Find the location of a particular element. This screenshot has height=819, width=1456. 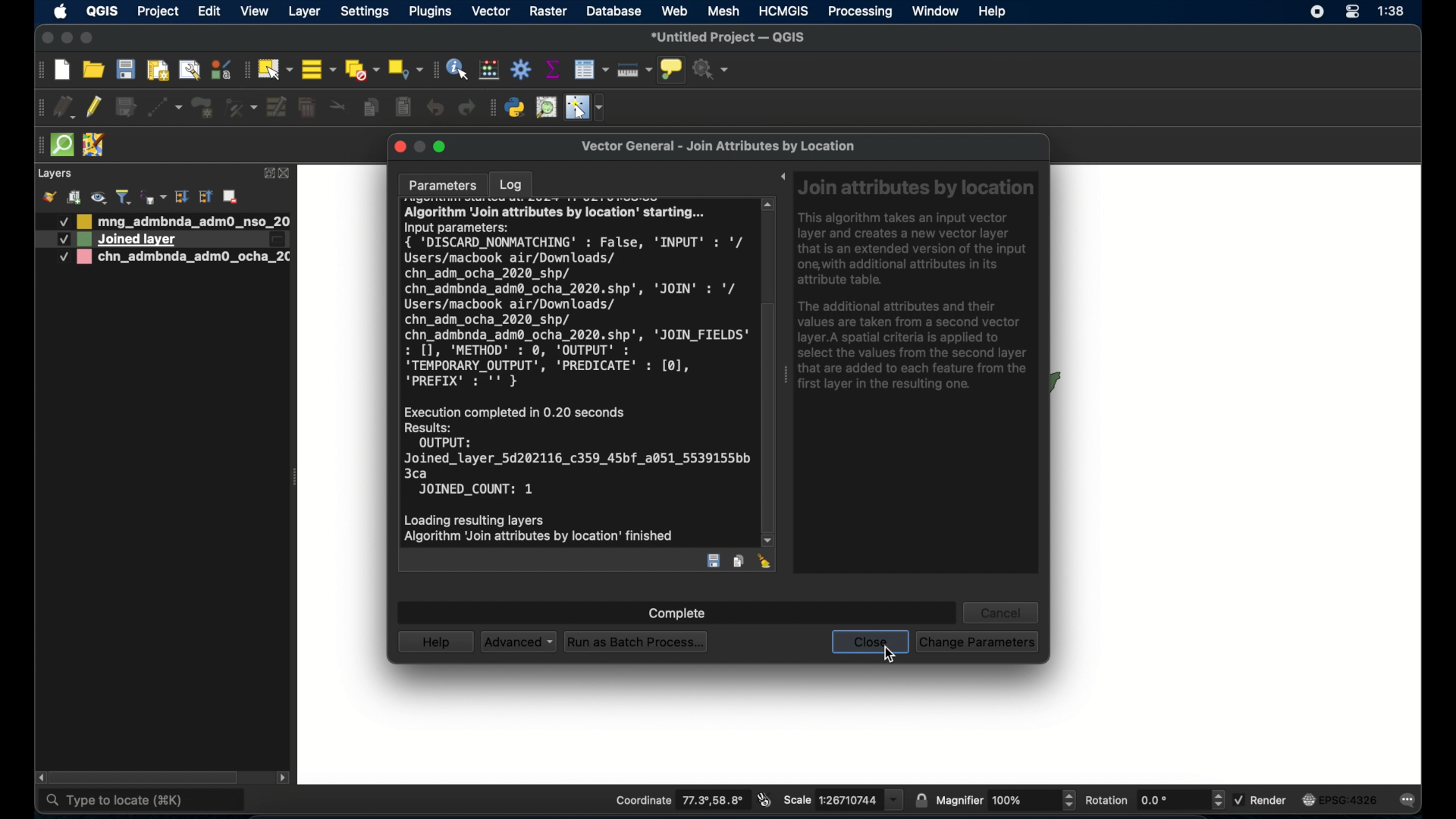

minimize is located at coordinates (67, 39).